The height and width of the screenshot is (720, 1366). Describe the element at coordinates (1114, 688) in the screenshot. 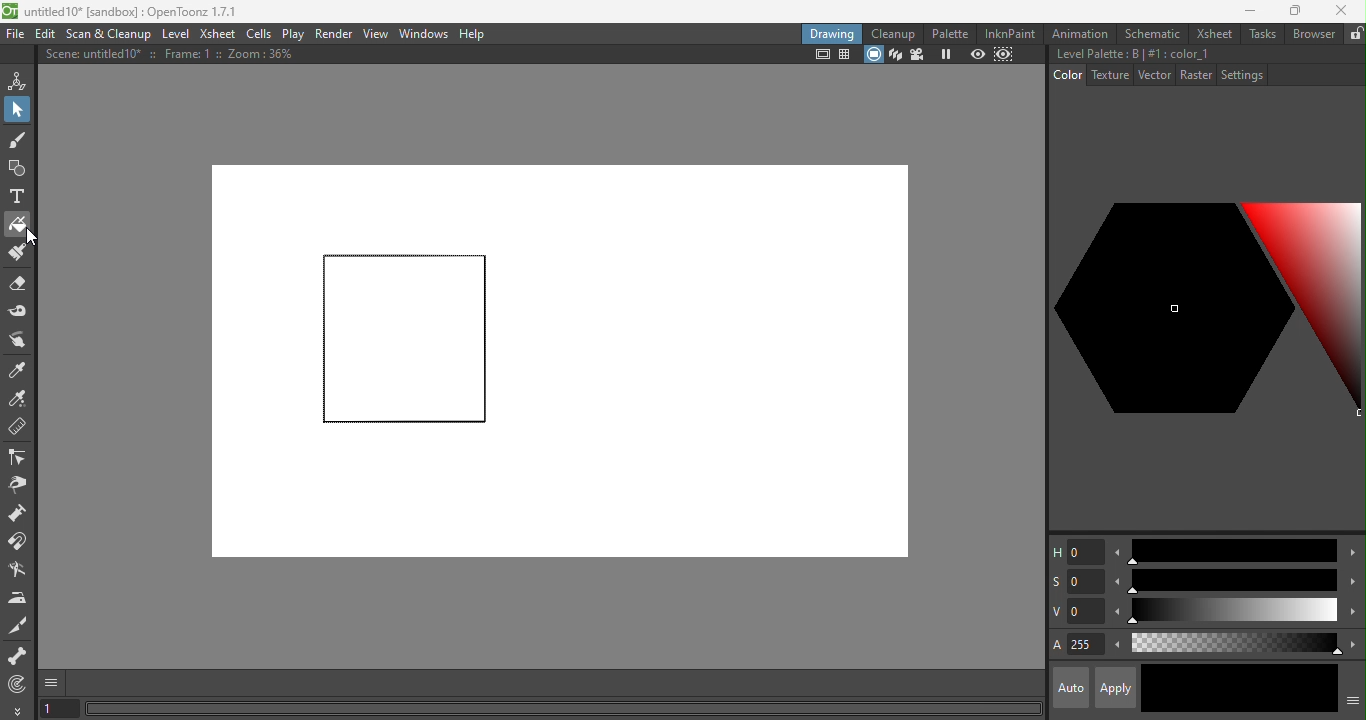

I see `Apply` at that location.